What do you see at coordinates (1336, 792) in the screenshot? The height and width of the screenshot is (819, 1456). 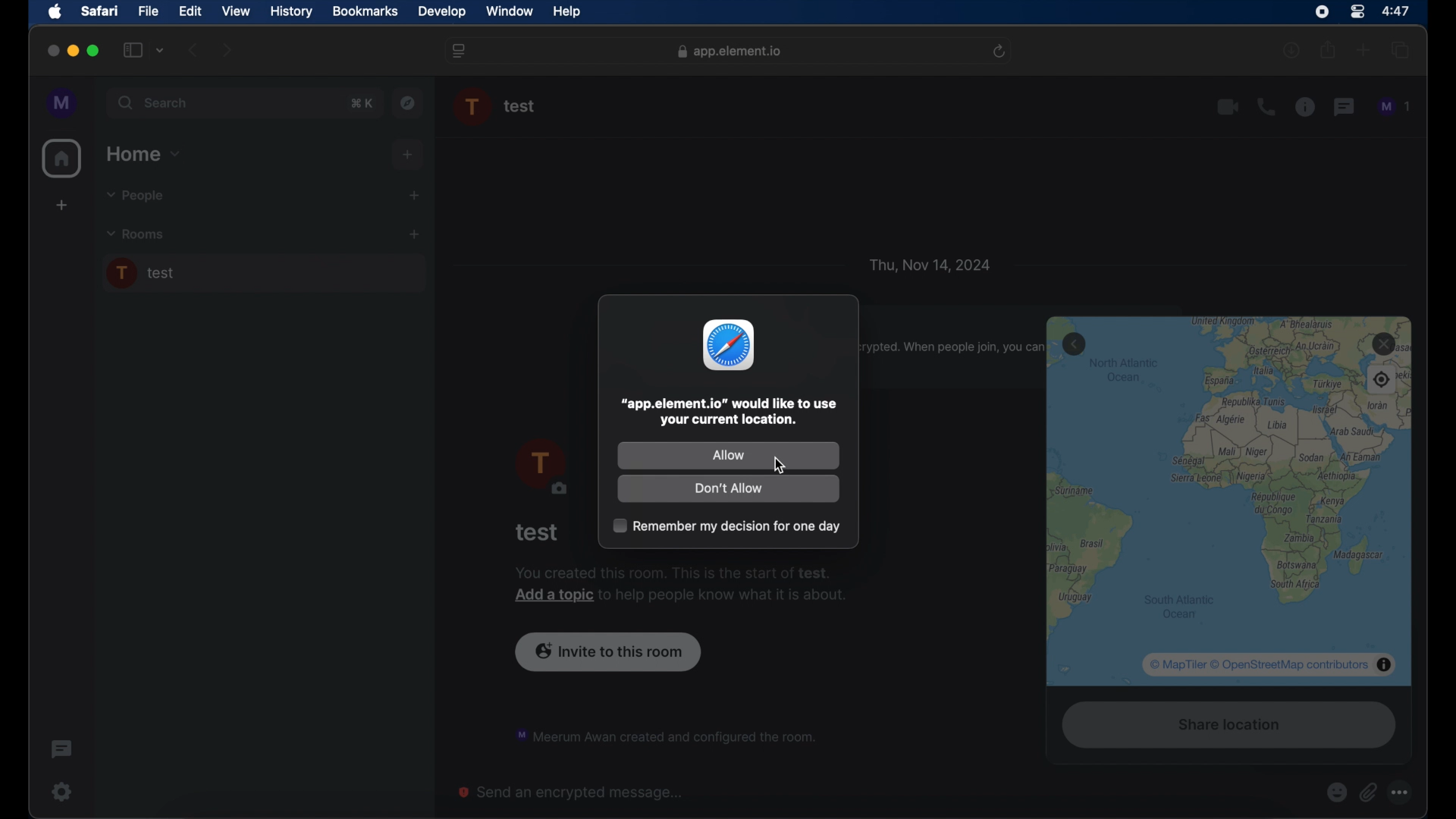 I see `Emojis` at bounding box center [1336, 792].